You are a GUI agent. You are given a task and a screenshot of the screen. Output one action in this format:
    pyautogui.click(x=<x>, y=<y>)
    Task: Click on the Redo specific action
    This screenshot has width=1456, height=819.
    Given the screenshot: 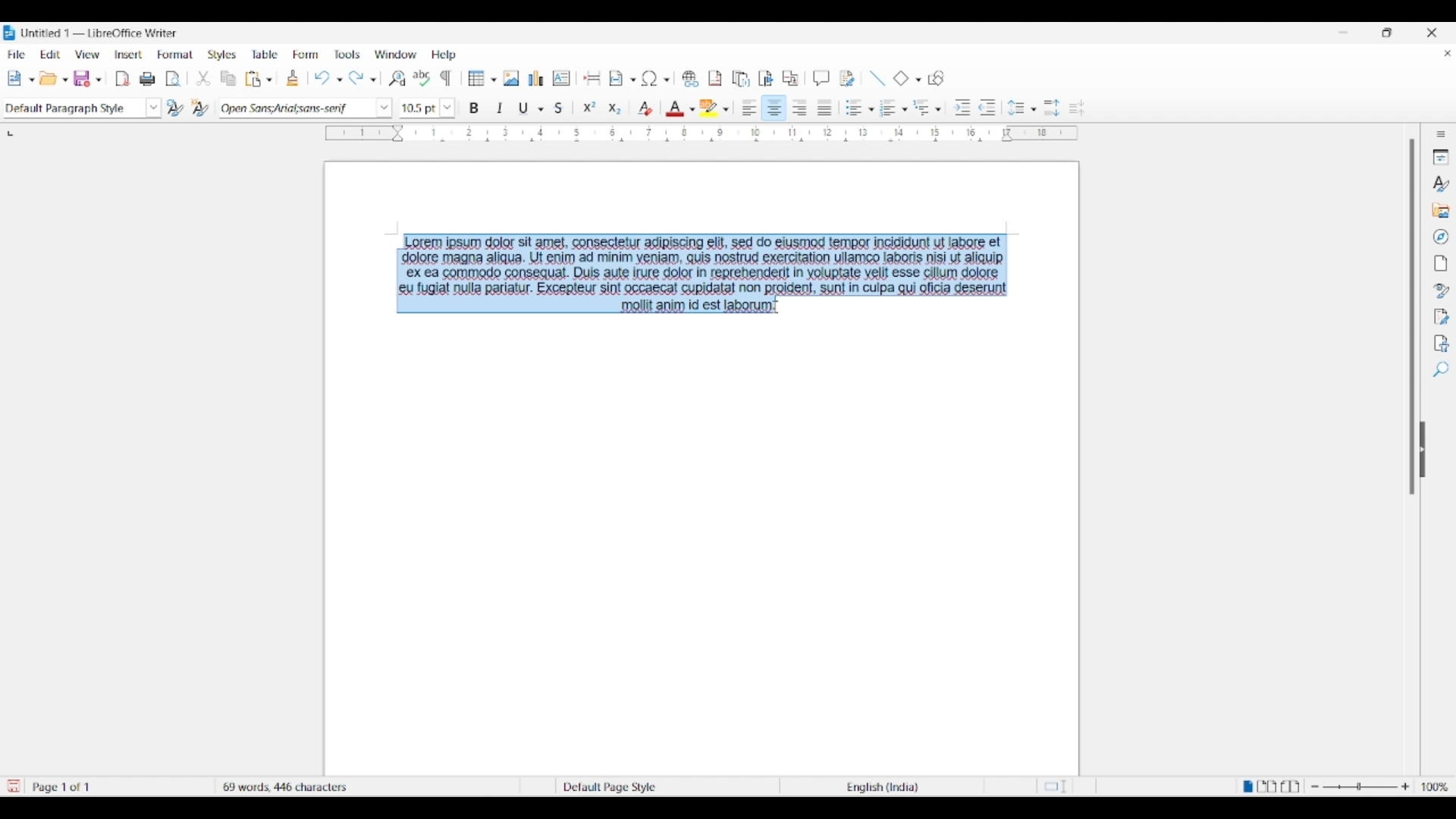 What is the action you would take?
    pyautogui.click(x=373, y=80)
    